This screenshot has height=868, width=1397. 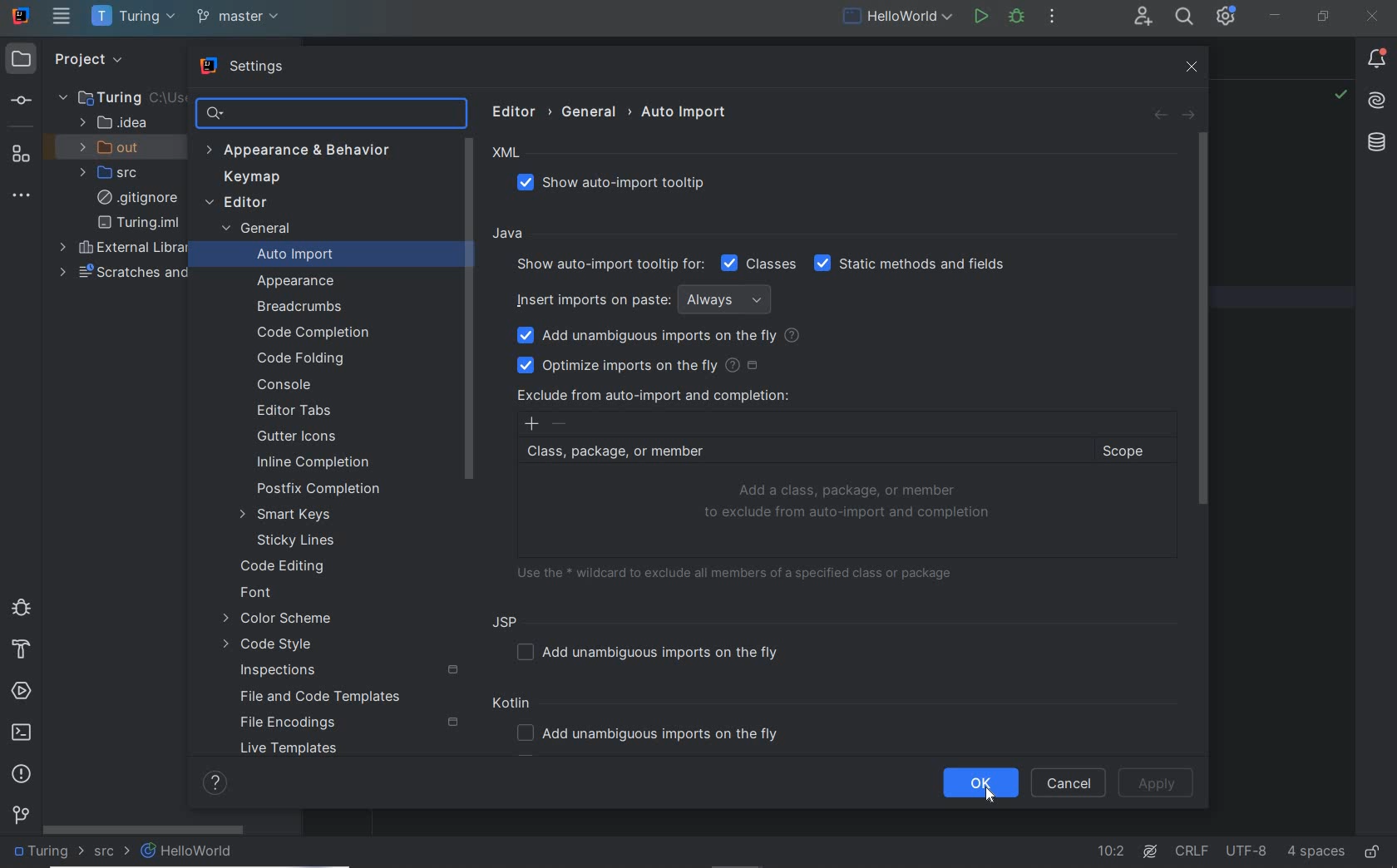 What do you see at coordinates (1052, 15) in the screenshot?
I see `MORE ACTIONS` at bounding box center [1052, 15].